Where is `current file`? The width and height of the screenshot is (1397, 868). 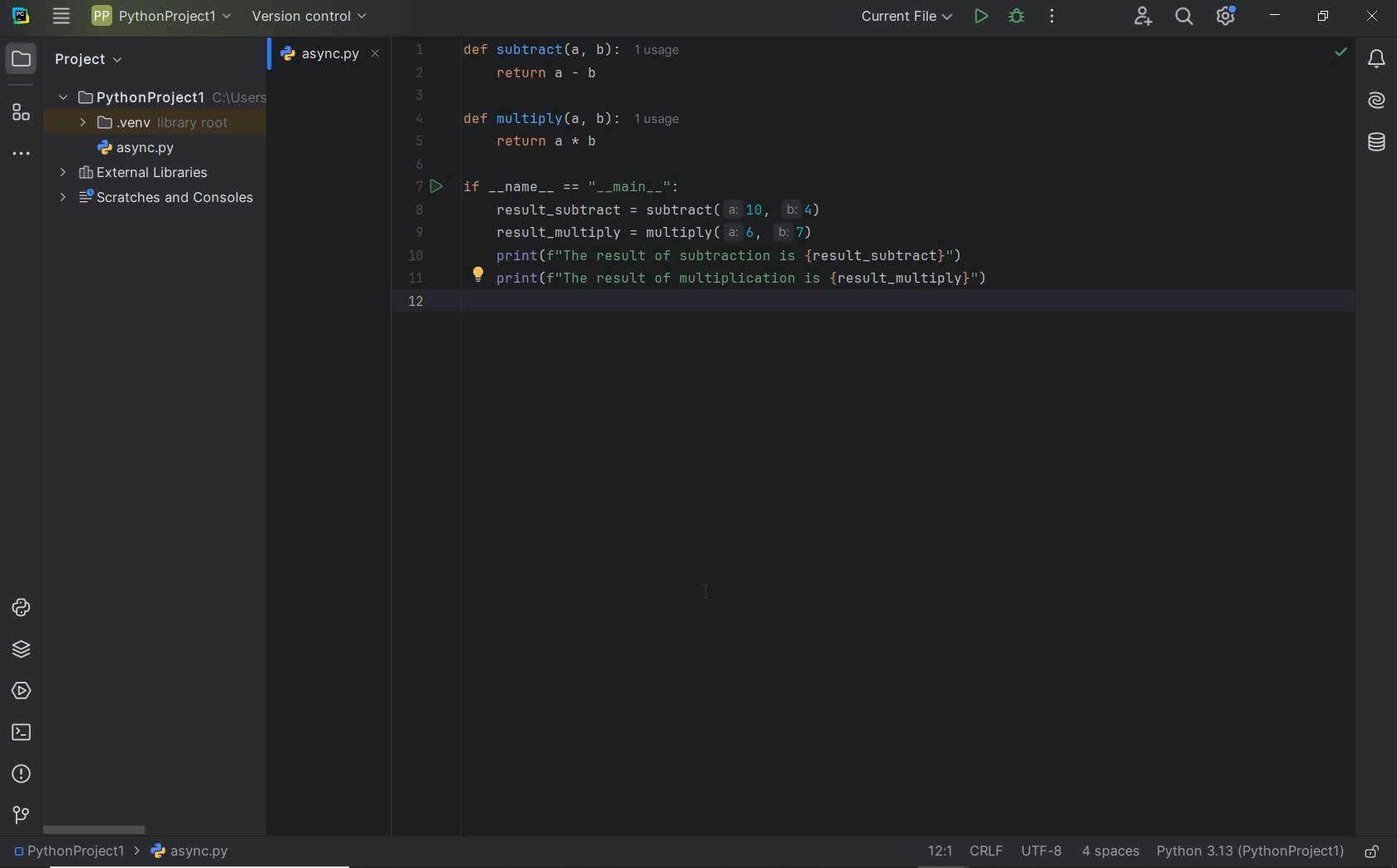
current file is located at coordinates (901, 18).